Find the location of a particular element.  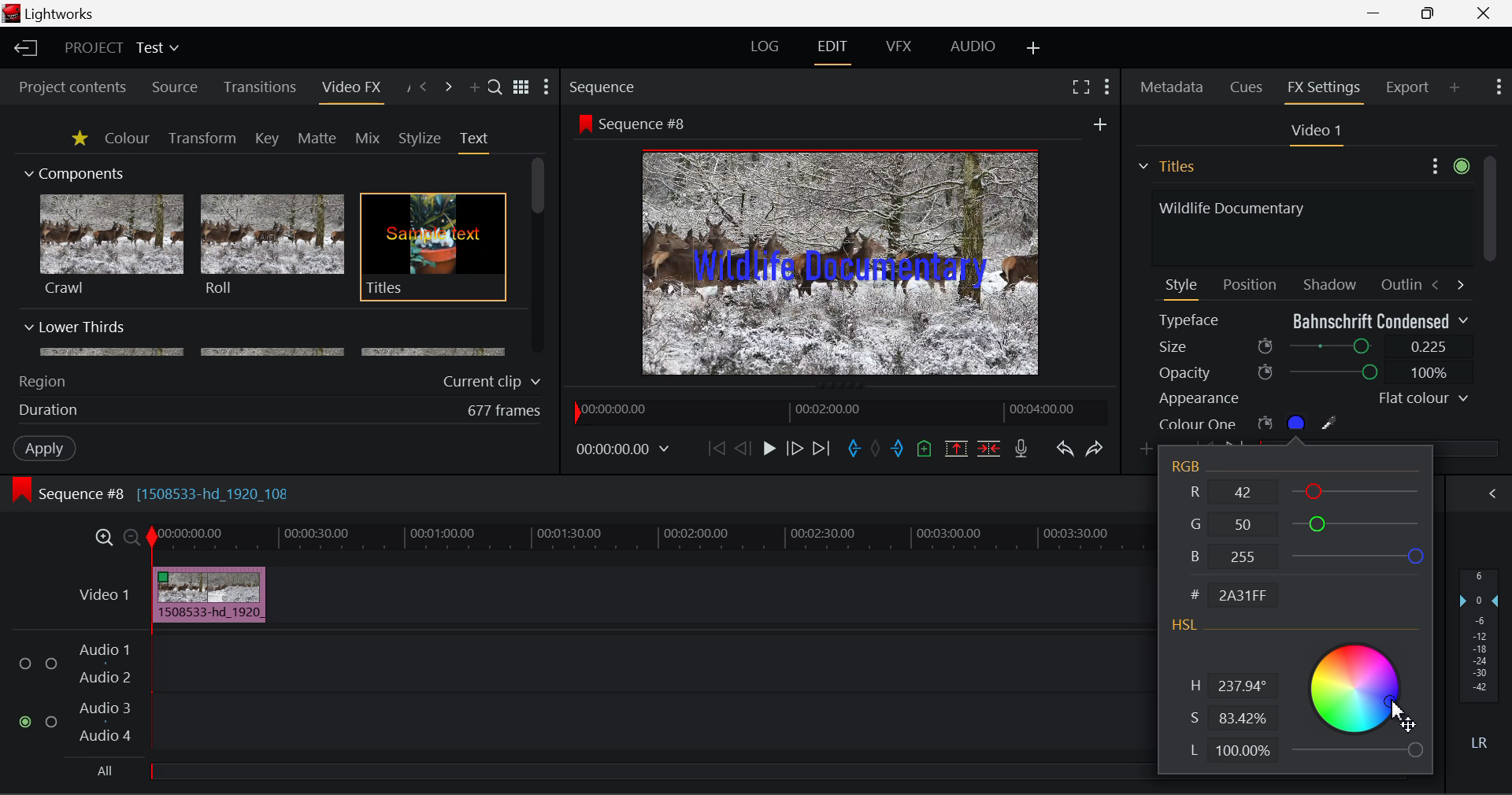

Audio 3 is located at coordinates (104, 707).